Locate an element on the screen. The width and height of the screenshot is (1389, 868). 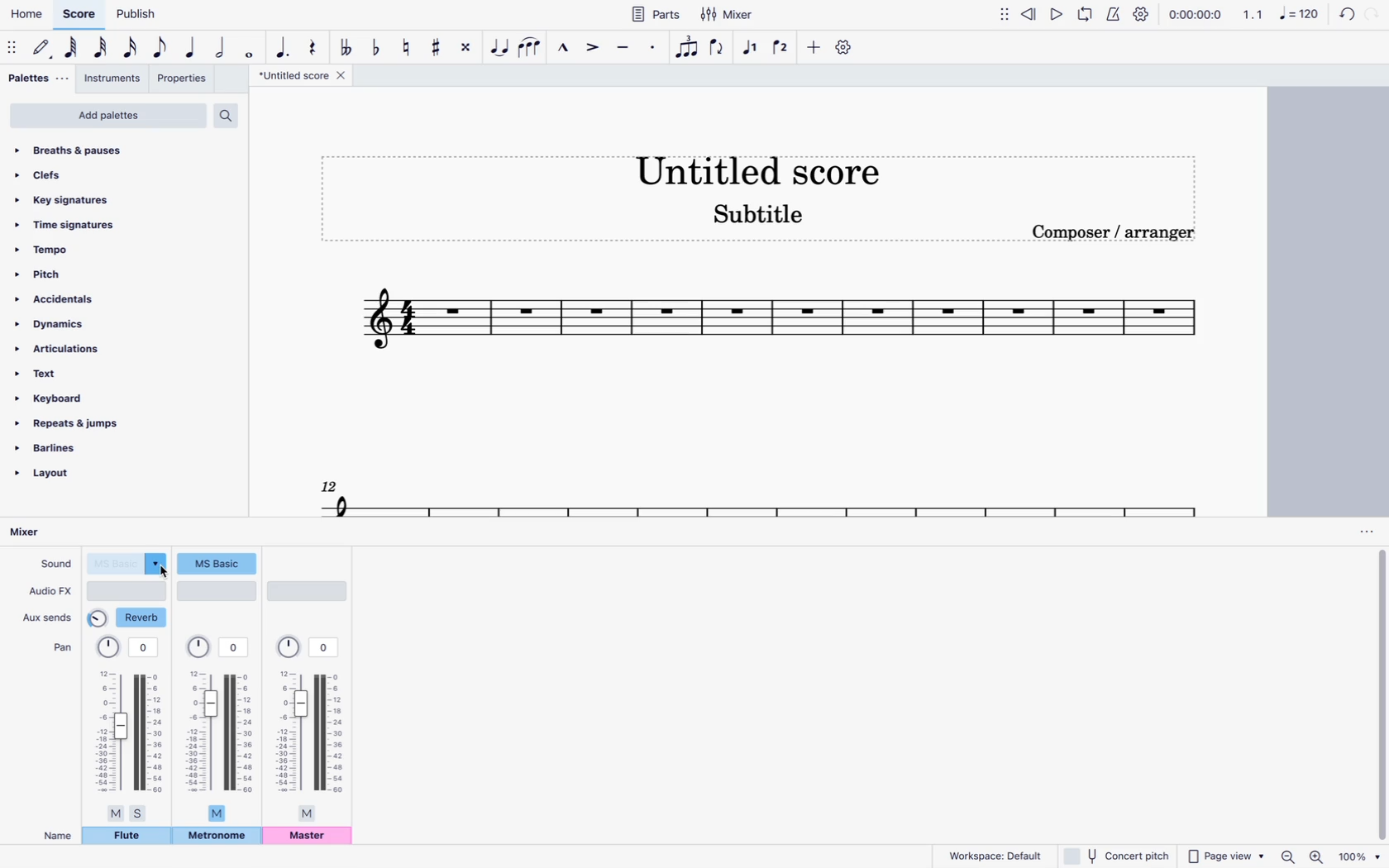
accent is located at coordinates (590, 47).